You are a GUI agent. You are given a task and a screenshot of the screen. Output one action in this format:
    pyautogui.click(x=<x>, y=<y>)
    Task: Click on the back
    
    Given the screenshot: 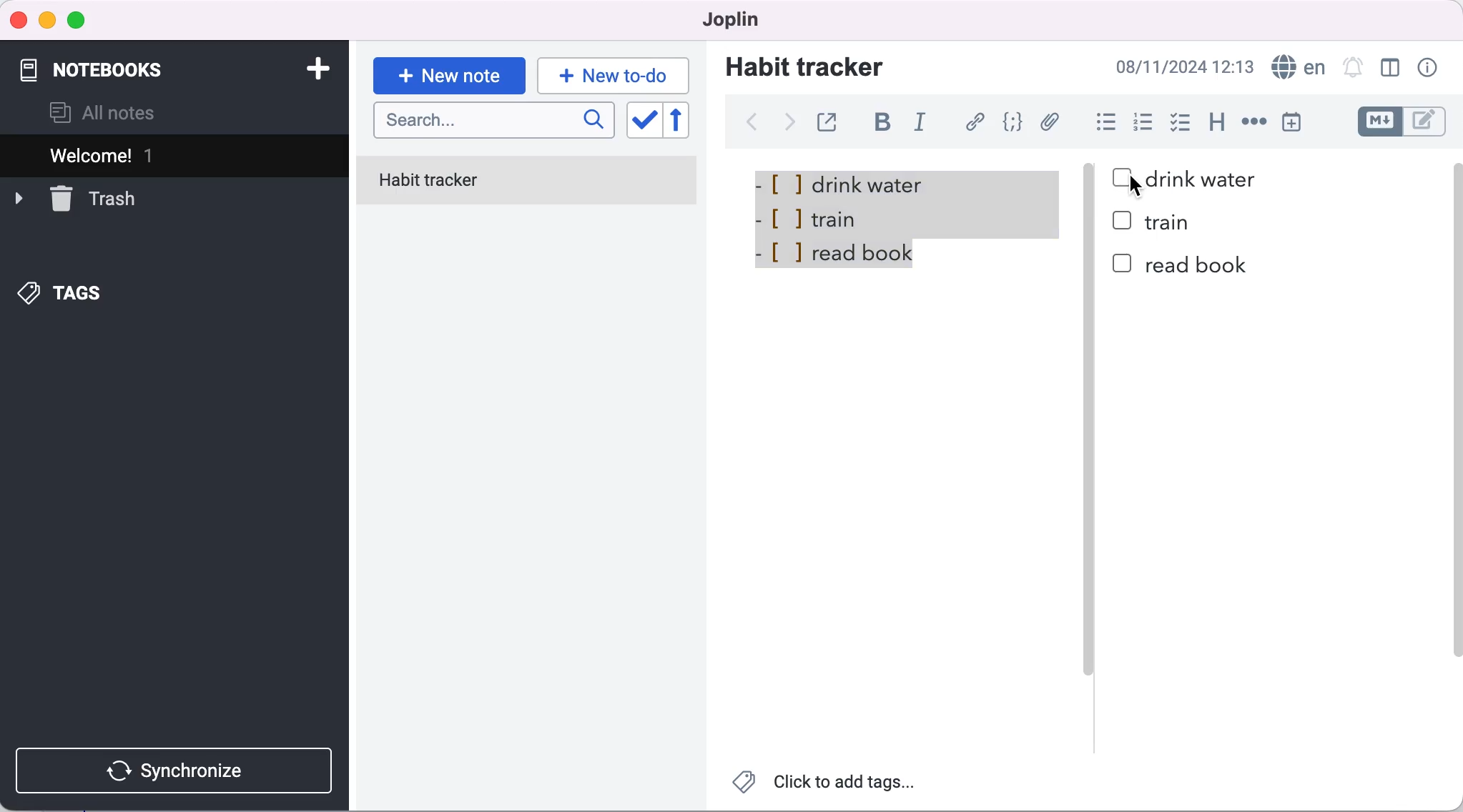 What is the action you would take?
    pyautogui.click(x=751, y=122)
    